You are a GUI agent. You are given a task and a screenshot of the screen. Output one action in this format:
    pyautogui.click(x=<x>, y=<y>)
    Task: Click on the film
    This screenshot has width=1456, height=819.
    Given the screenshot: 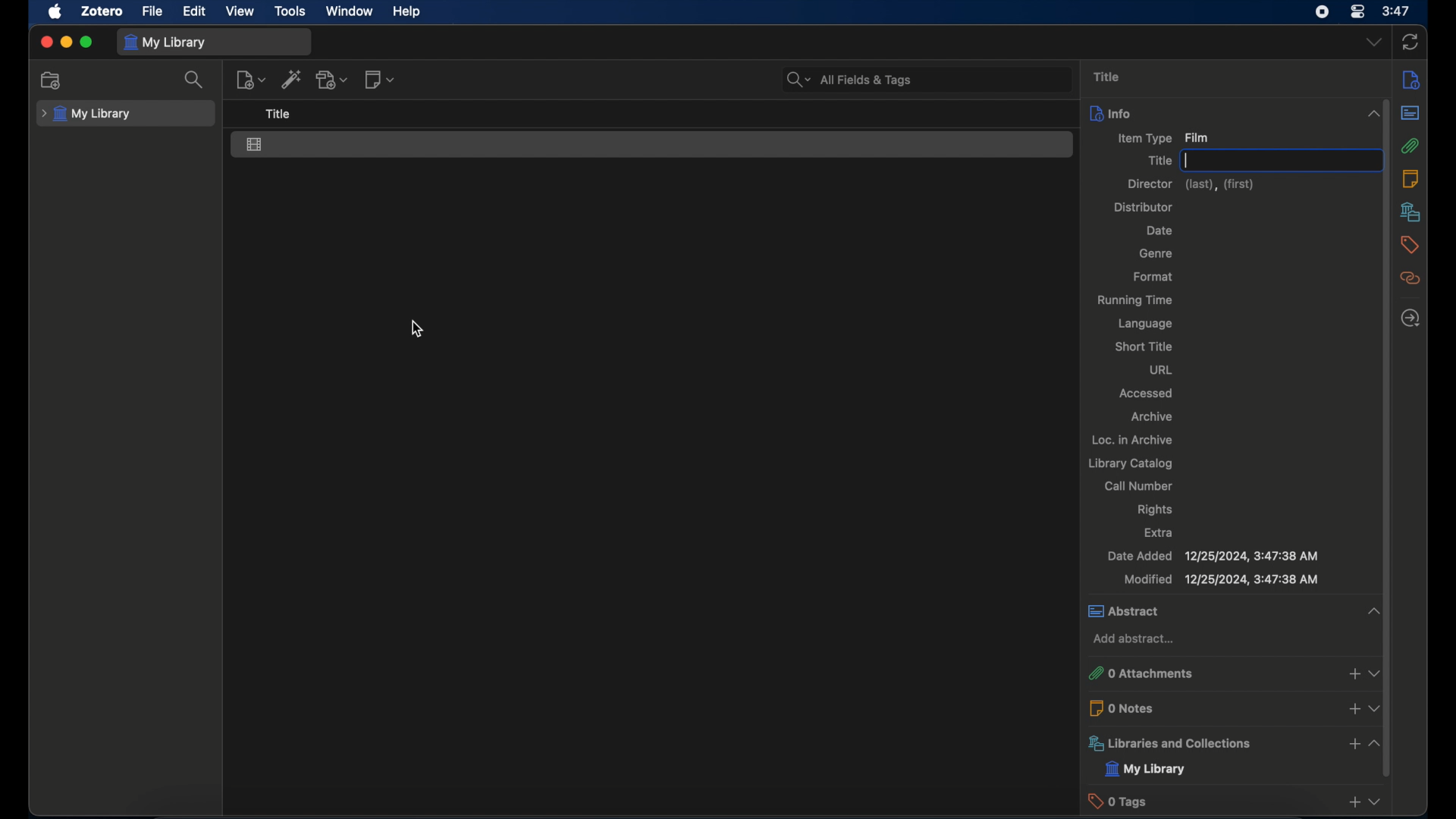 What is the action you would take?
    pyautogui.click(x=255, y=145)
    